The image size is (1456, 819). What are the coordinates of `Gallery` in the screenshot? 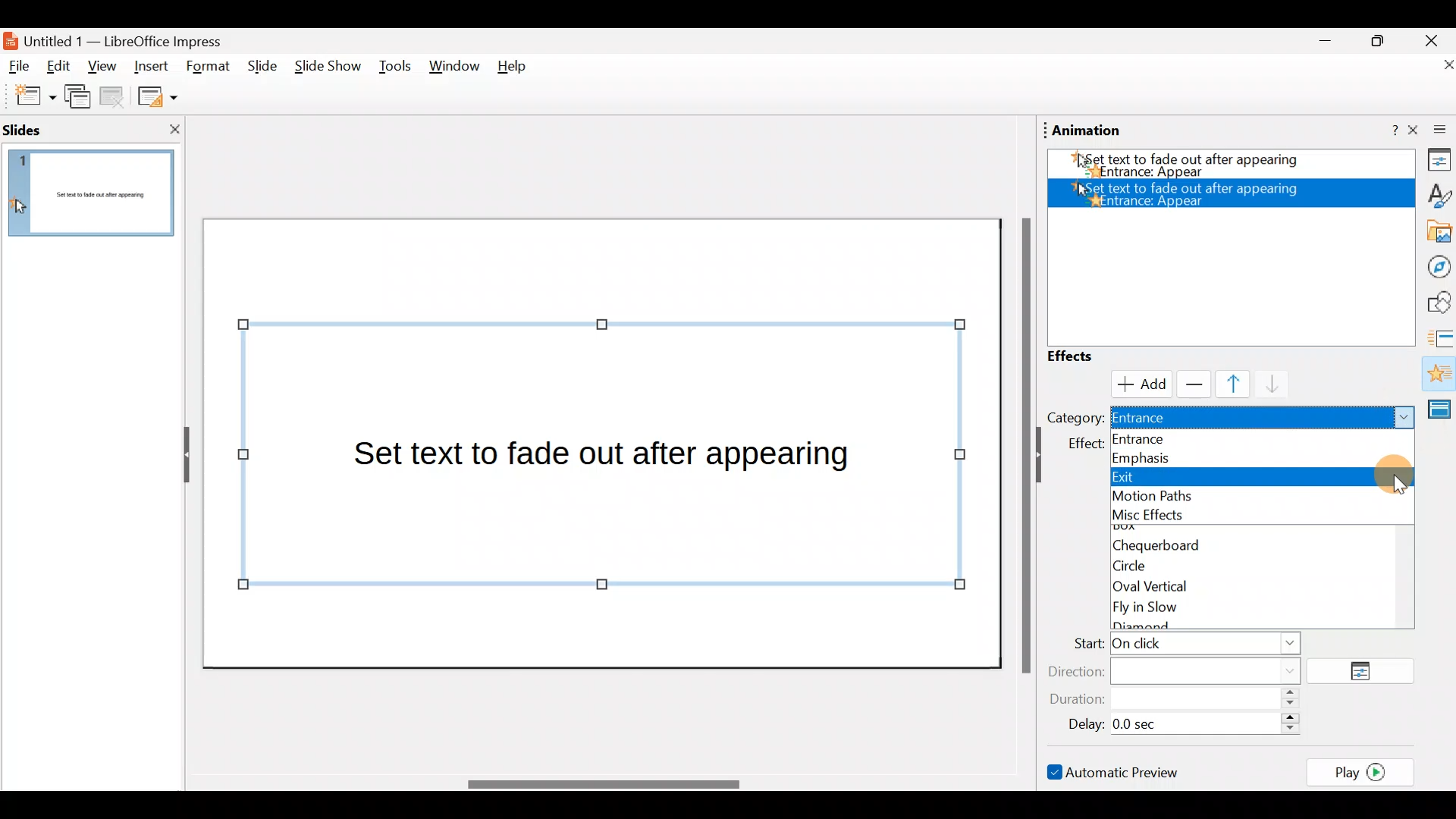 It's located at (1436, 232).